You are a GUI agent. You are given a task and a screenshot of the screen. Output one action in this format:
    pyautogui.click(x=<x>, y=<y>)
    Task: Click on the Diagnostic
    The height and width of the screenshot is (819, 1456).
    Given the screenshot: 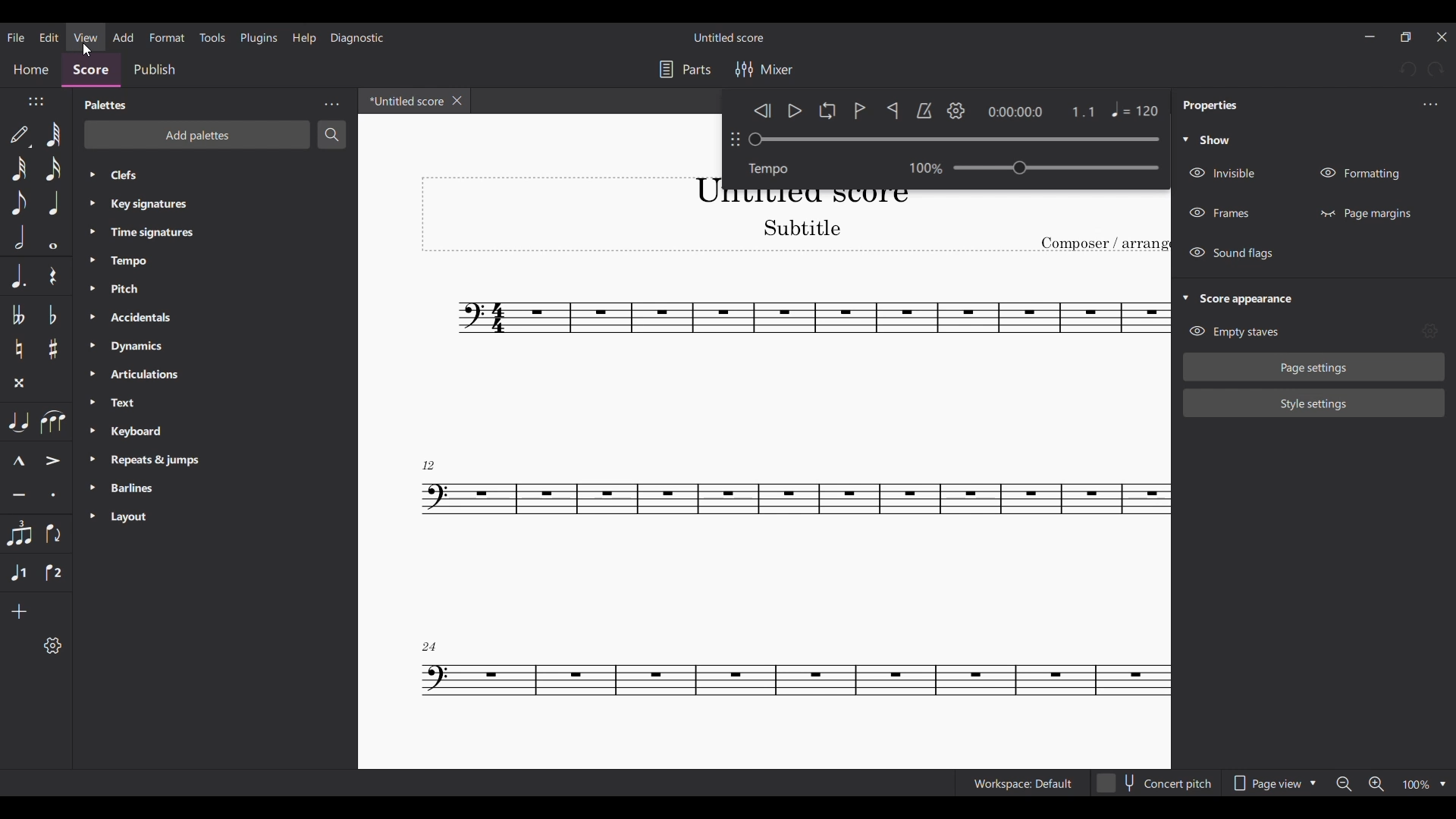 What is the action you would take?
    pyautogui.click(x=358, y=38)
    